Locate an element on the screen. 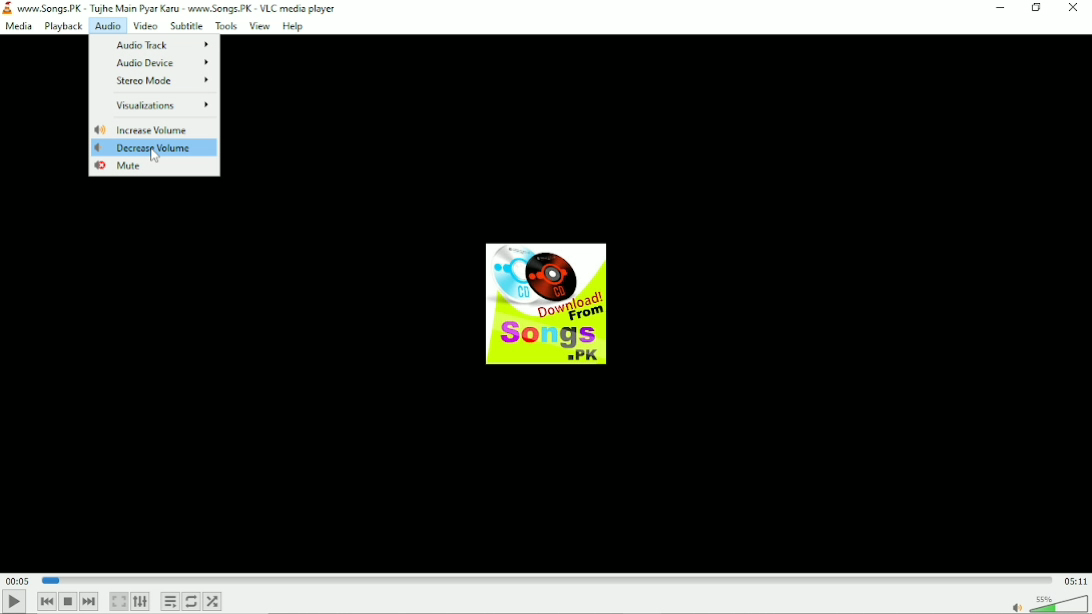 This screenshot has height=614, width=1092. Play duration is located at coordinates (547, 579).